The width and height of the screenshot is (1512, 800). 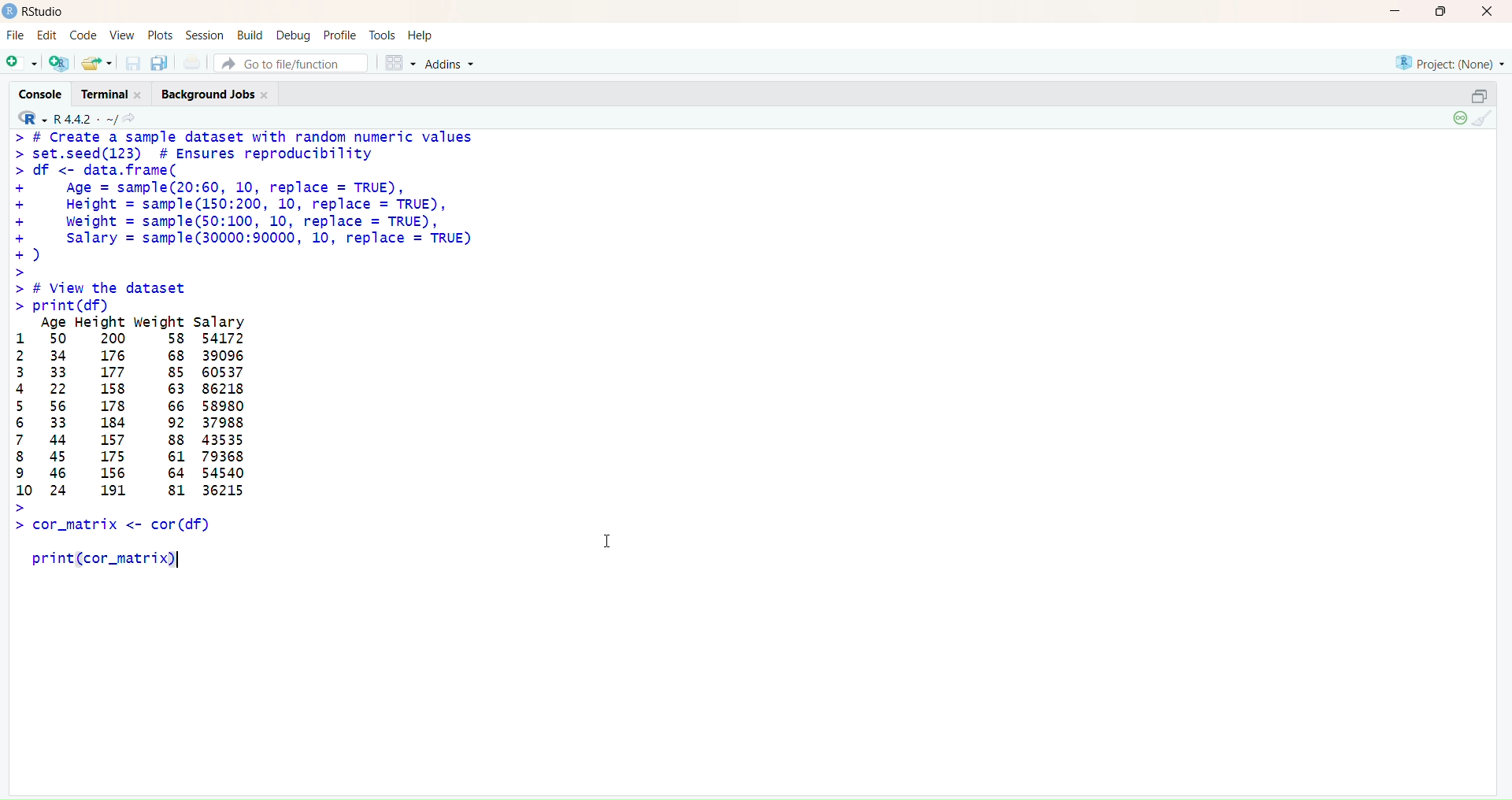 I want to click on Workspace panes, so click(x=397, y=62).